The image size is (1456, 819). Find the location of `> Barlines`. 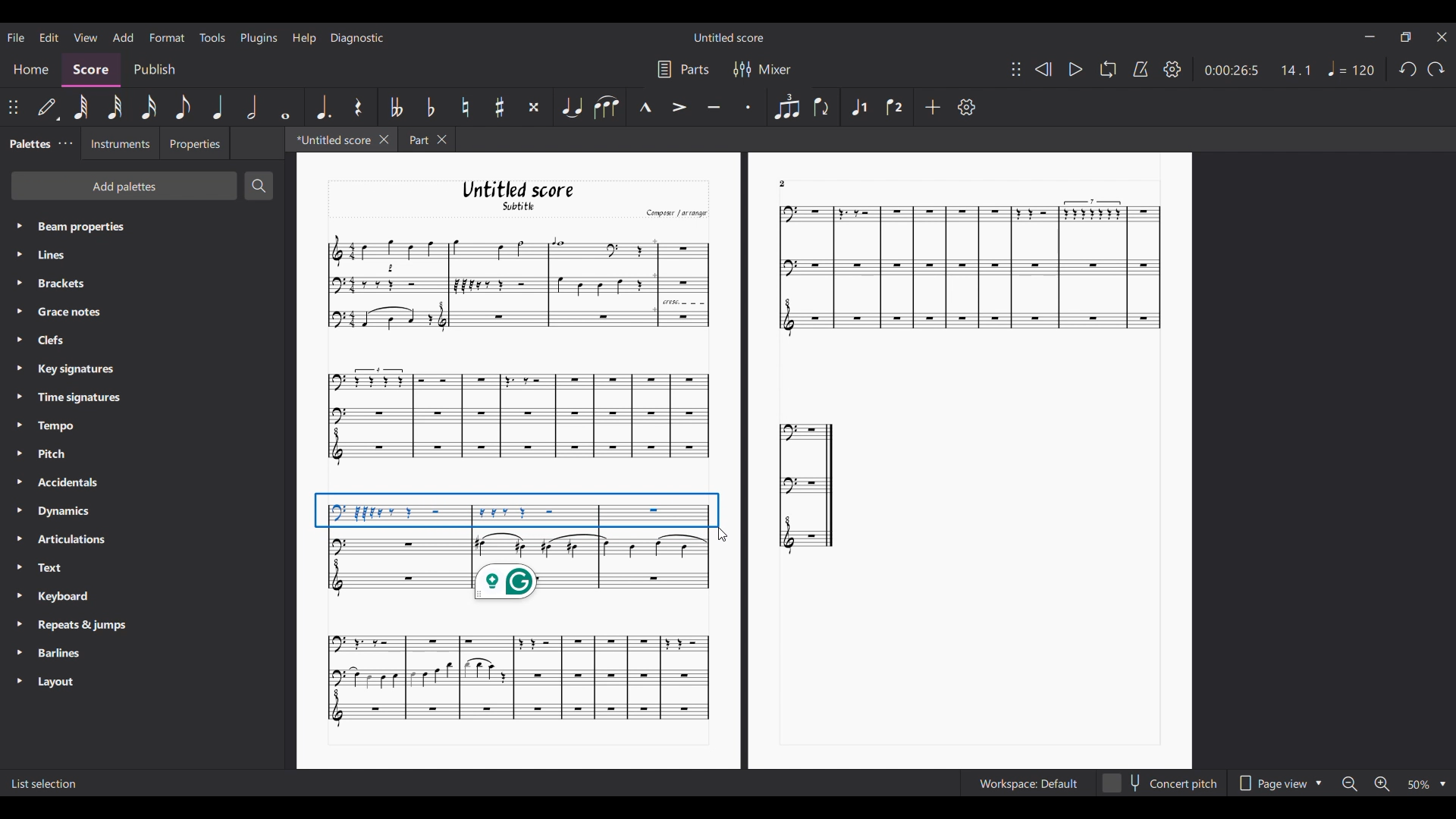

> Barlines is located at coordinates (57, 654).